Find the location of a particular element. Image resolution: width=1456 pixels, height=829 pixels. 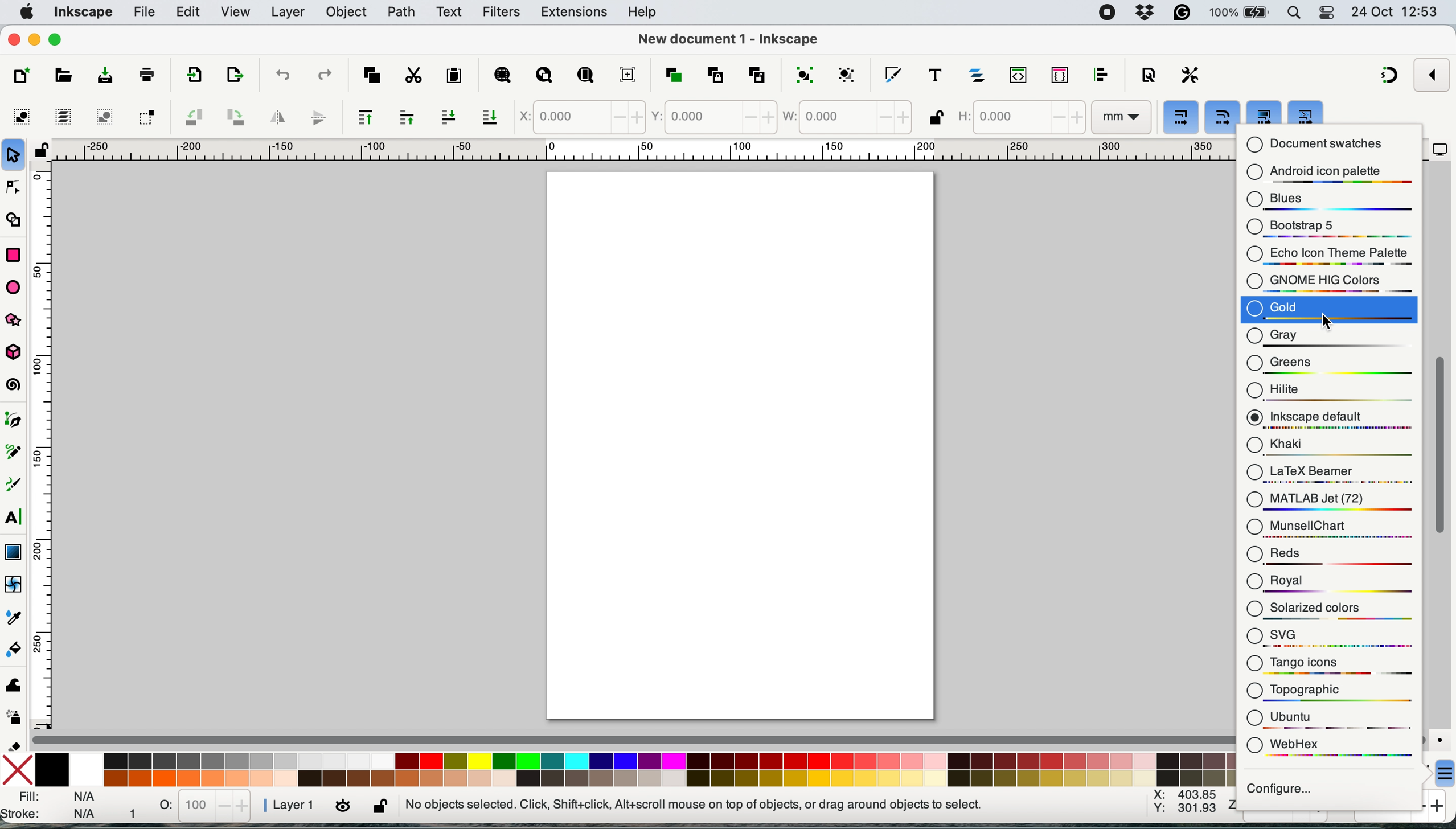

new is located at coordinates (23, 75).